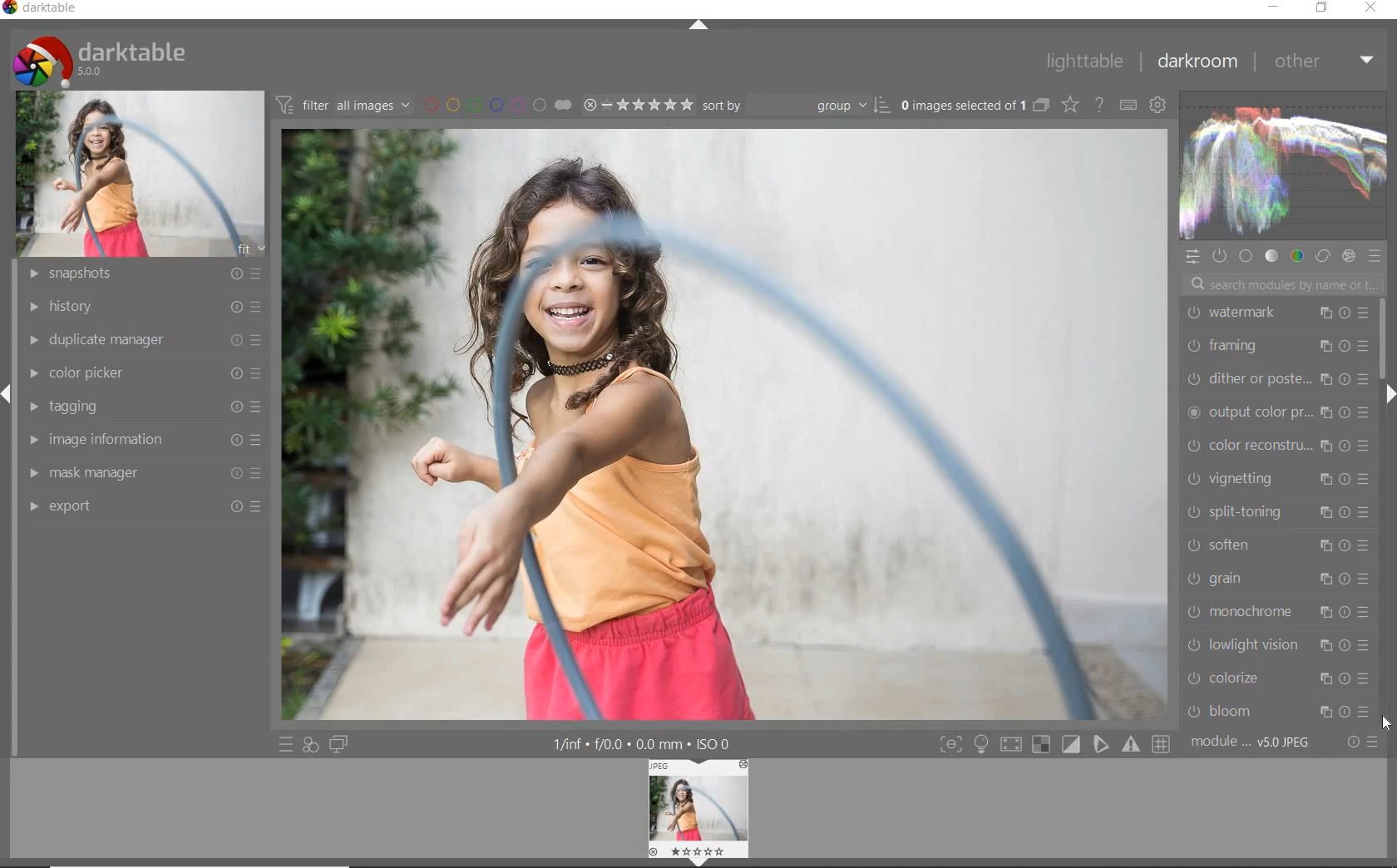  Describe the element at coordinates (1158, 106) in the screenshot. I see `show global preference` at that location.